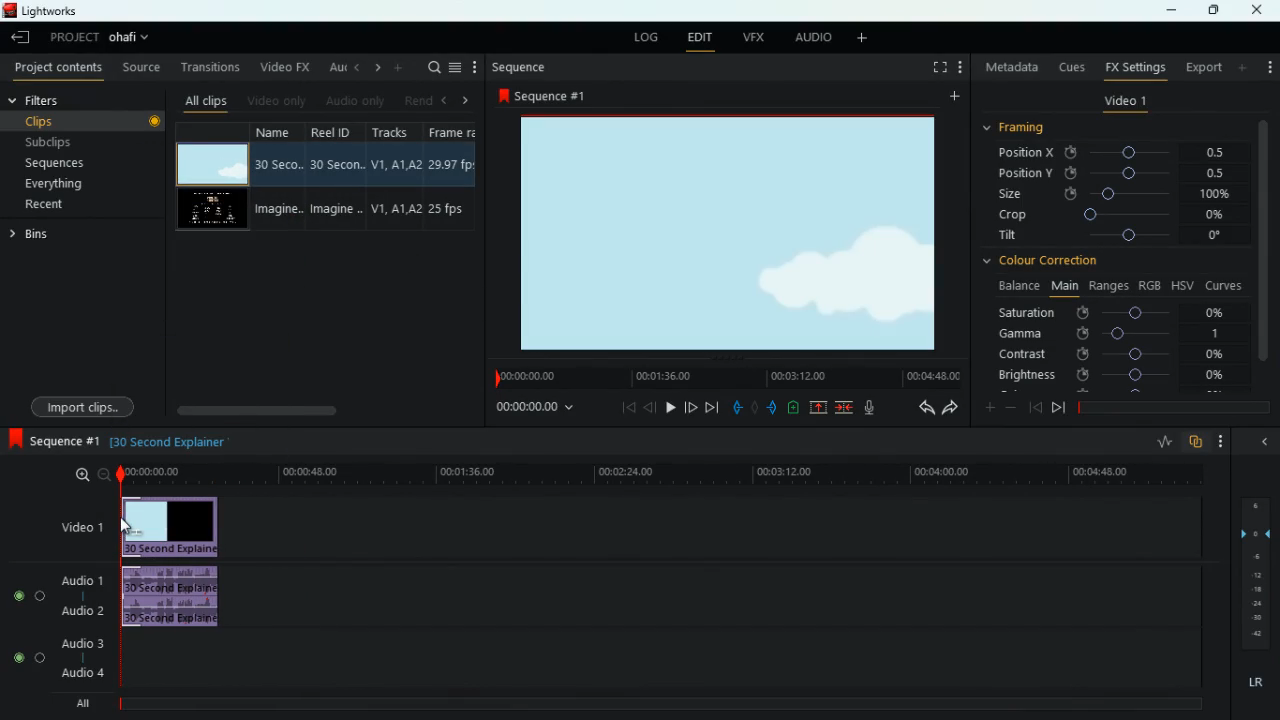 This screenshot has height=720, width=1280. Describe the element at coordinates (1161, 444) in the screenshot. I see `rate` at that location.